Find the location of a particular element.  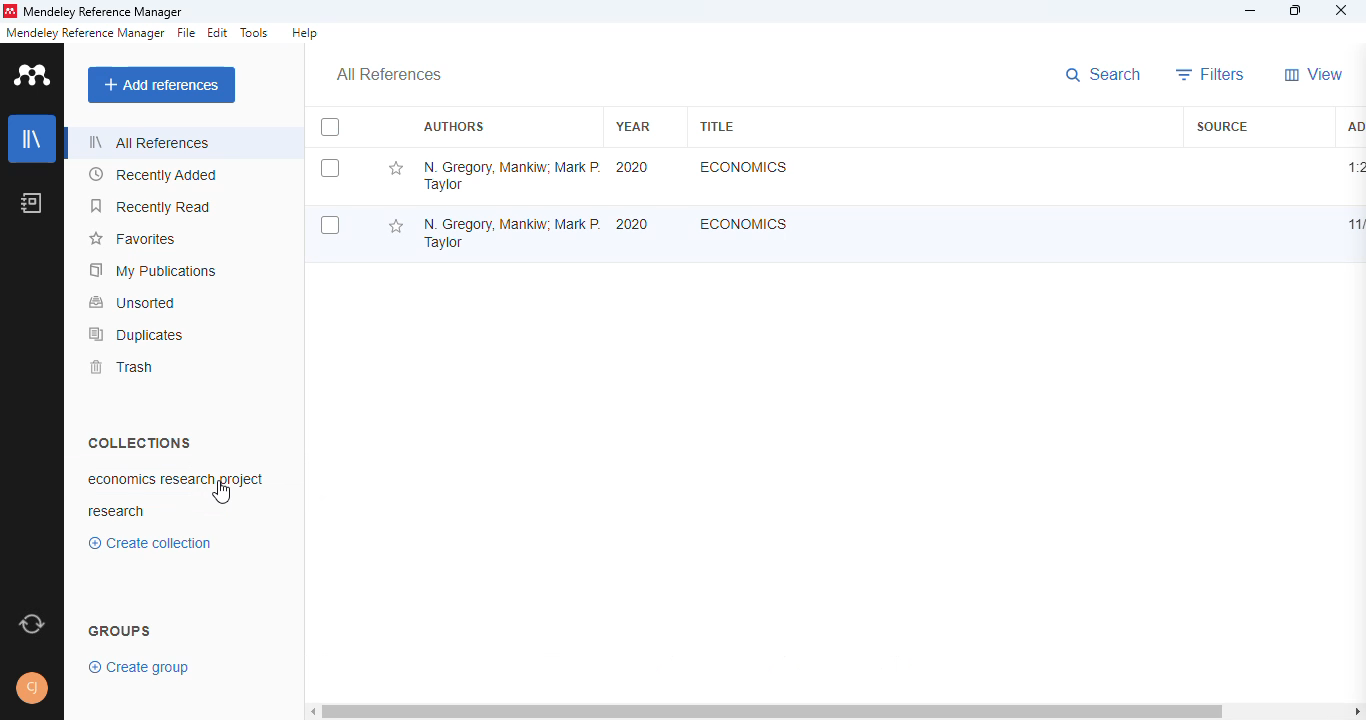

added is located at coordinates (1353, 125).